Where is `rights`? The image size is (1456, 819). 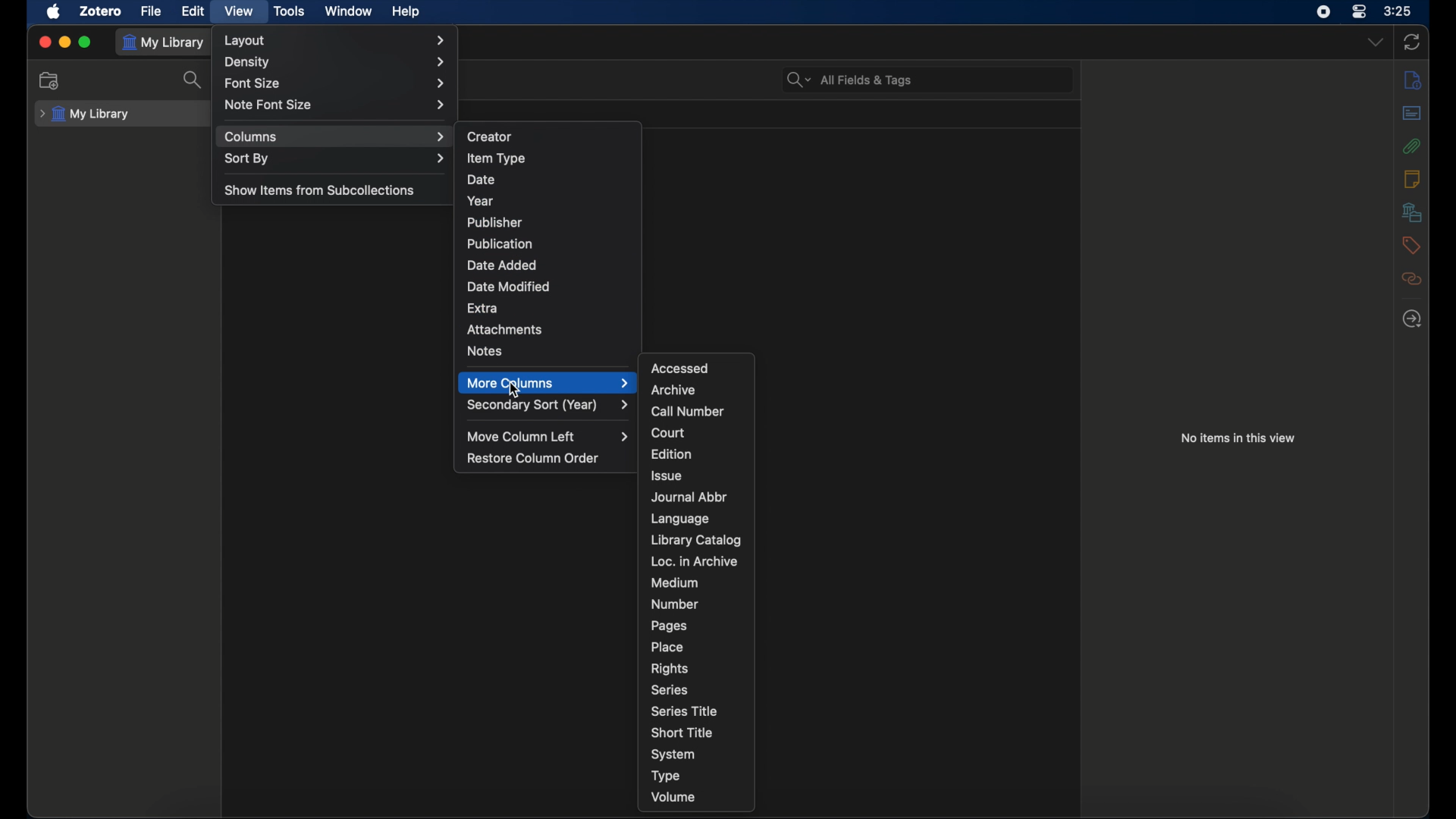 rights is located at coordinates (669, 668).